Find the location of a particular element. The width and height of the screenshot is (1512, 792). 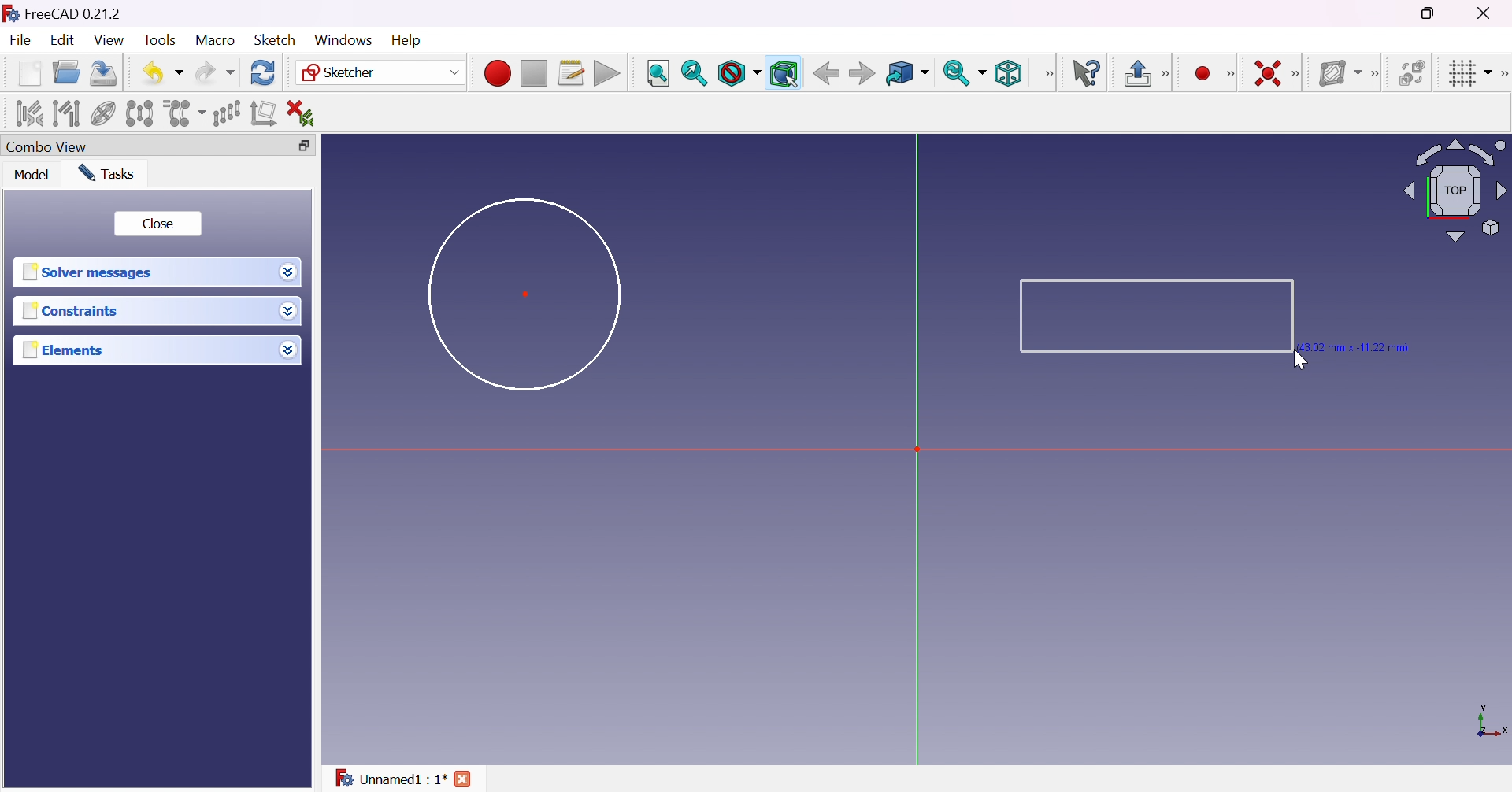

Restore down is located at coordinates (1430, 13).